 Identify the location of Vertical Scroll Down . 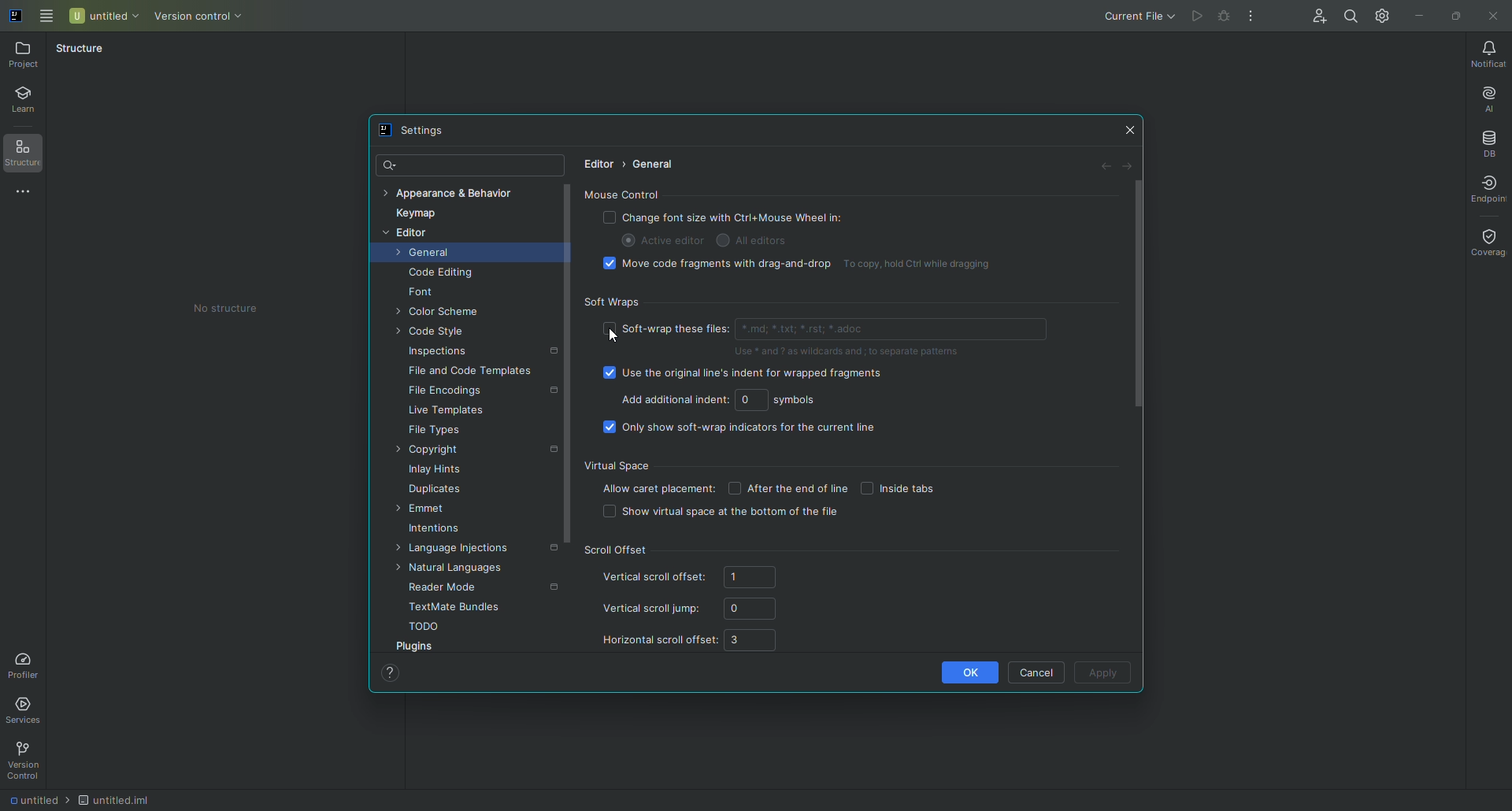
(565, 383).